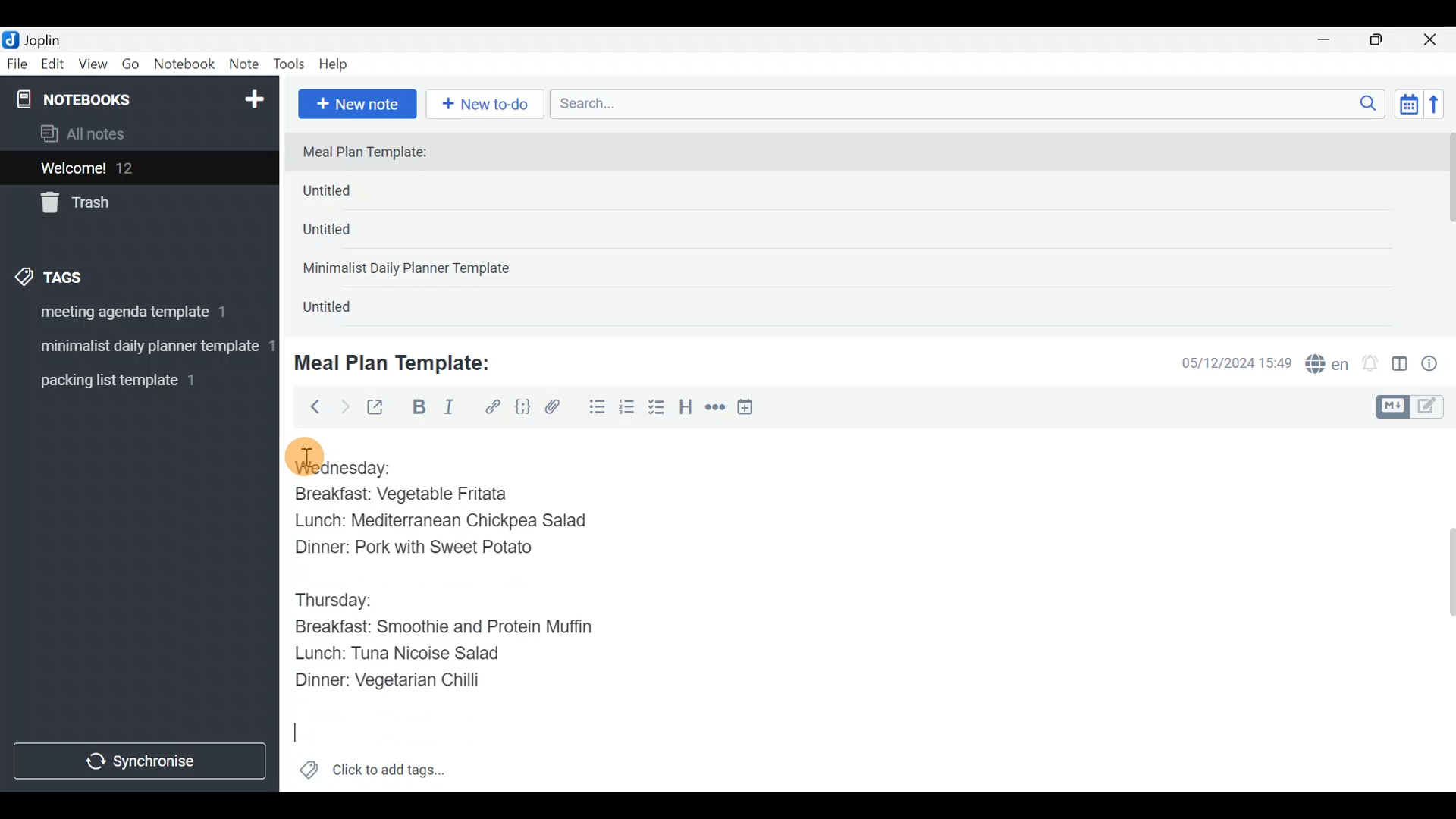  Describe the element at coordinates (1408, 105) in the screenshot. I see `Toggle sort order` at that location.